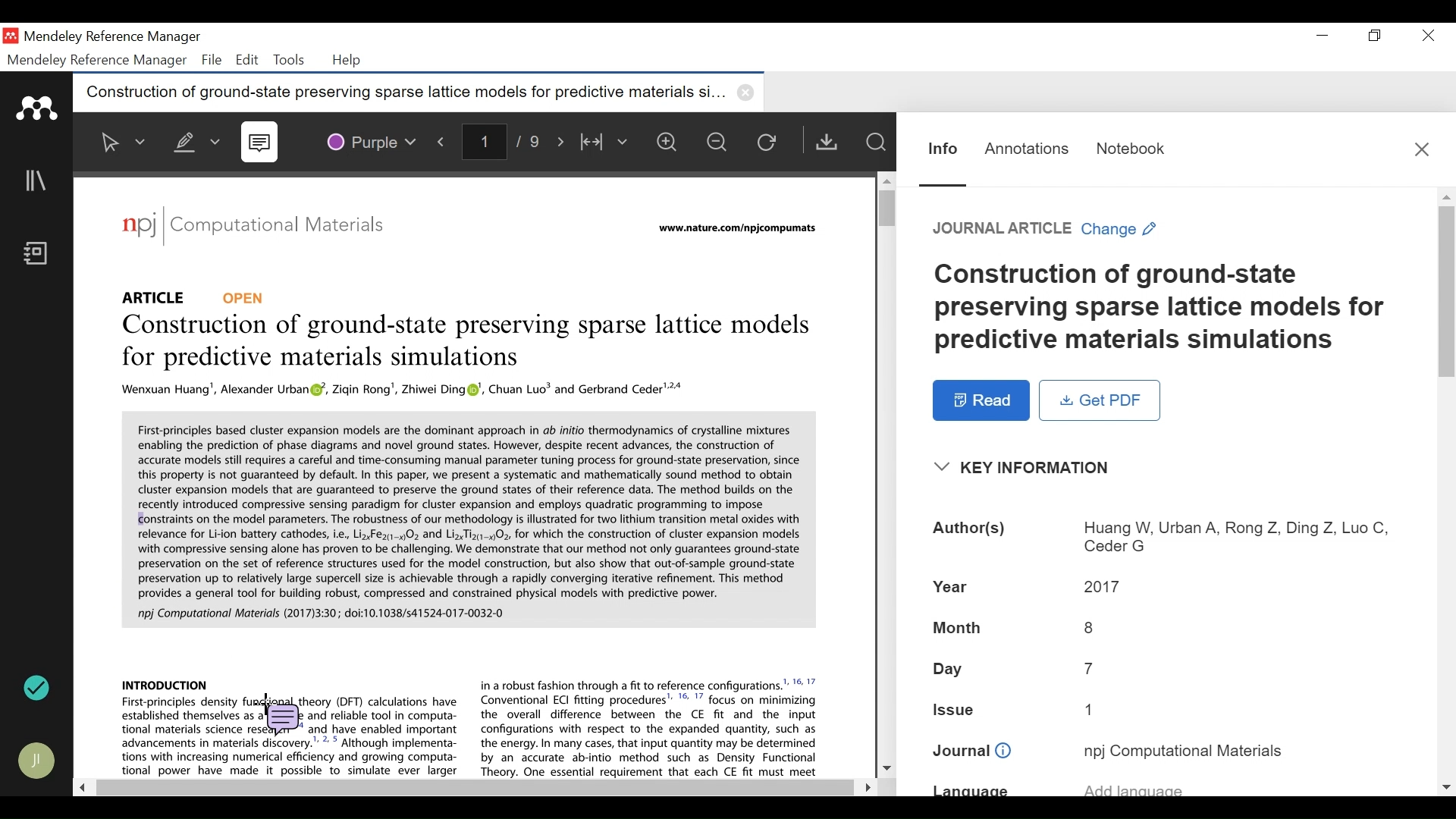  Describe the element at coordinates (158, 295) in the screenshot. I see `Reference Type` at that location.